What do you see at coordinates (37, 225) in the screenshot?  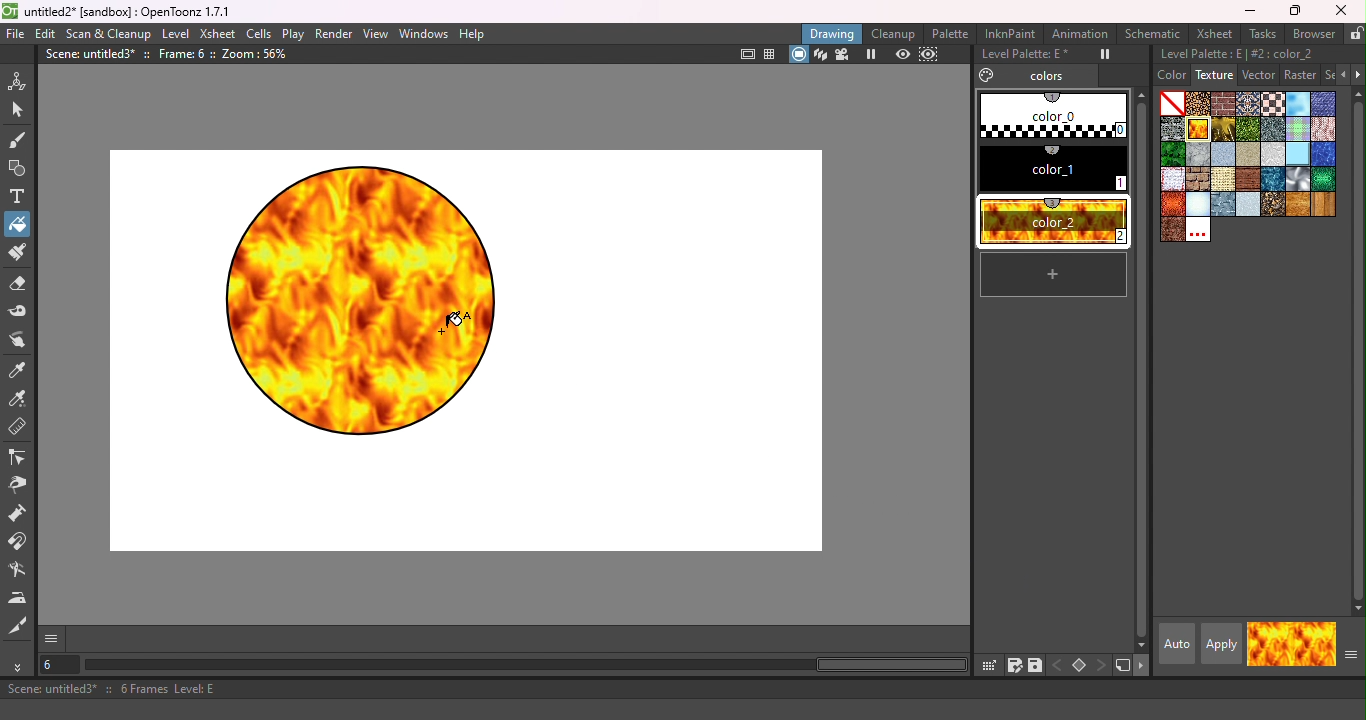 I see `Cursor` at bounding box center [37, 225].